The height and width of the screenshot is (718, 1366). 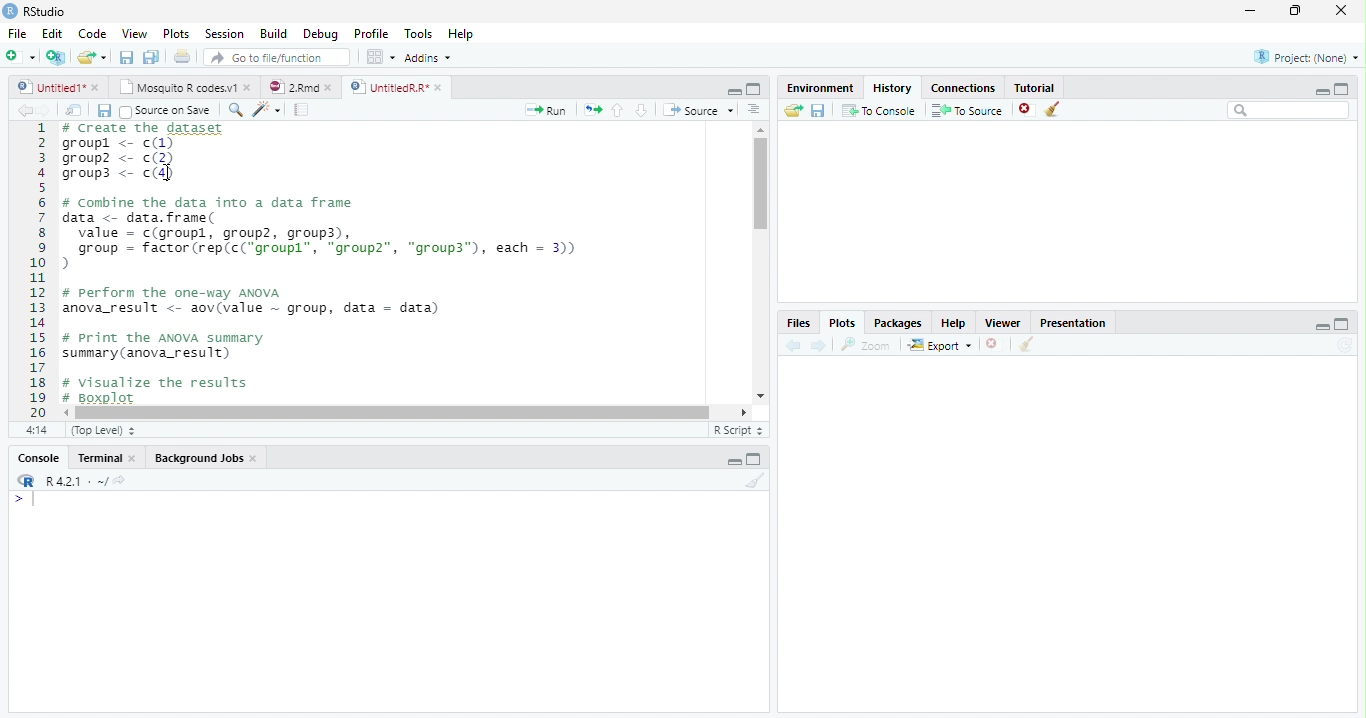 What do you see at coordinates (301, 111) in the screenshot?
I see `Pages` at bounding box center [301, 111].